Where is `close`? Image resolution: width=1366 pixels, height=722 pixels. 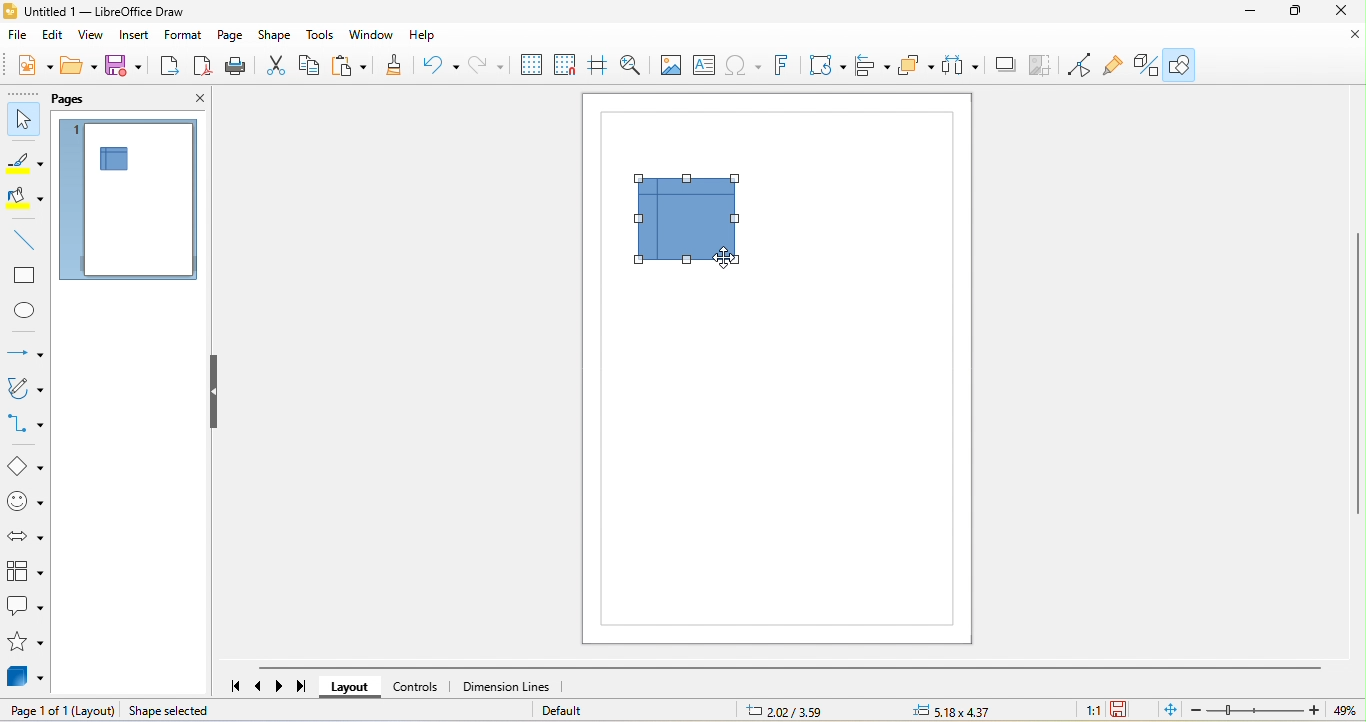
close is located at coordinates (1340, 43).